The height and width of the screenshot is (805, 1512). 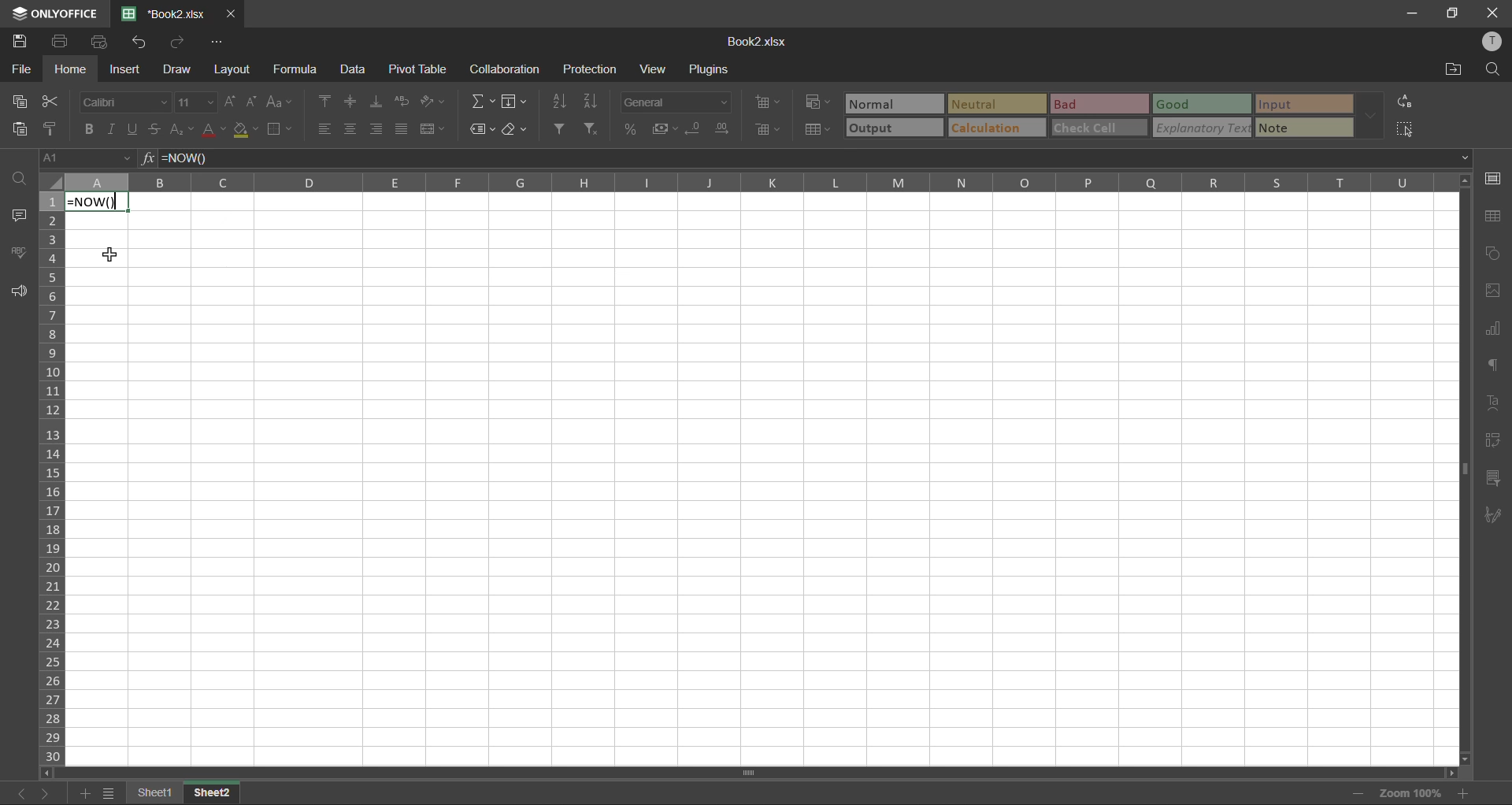 What do you see at coordinates (1492, 71) in the screenshot?
I see `find` at bounding box center [1492, 71].